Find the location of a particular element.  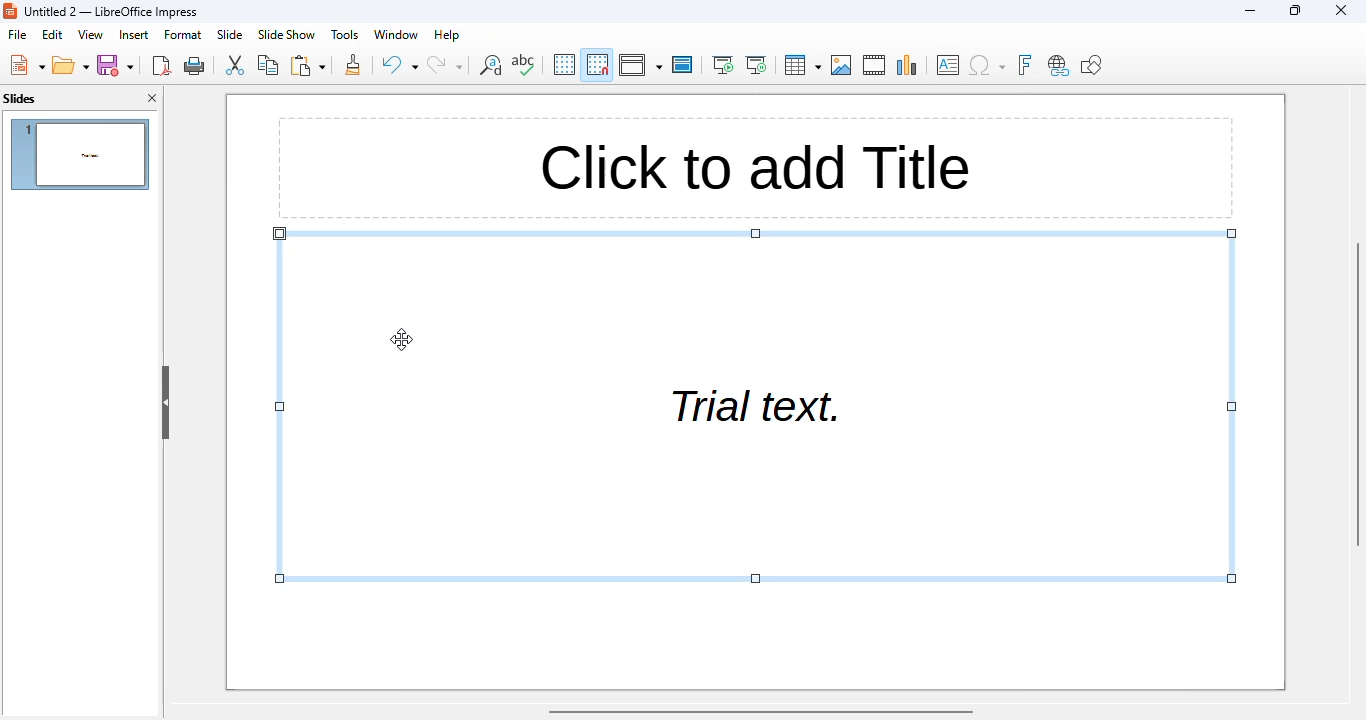

help is located at coordinates (447, 35).